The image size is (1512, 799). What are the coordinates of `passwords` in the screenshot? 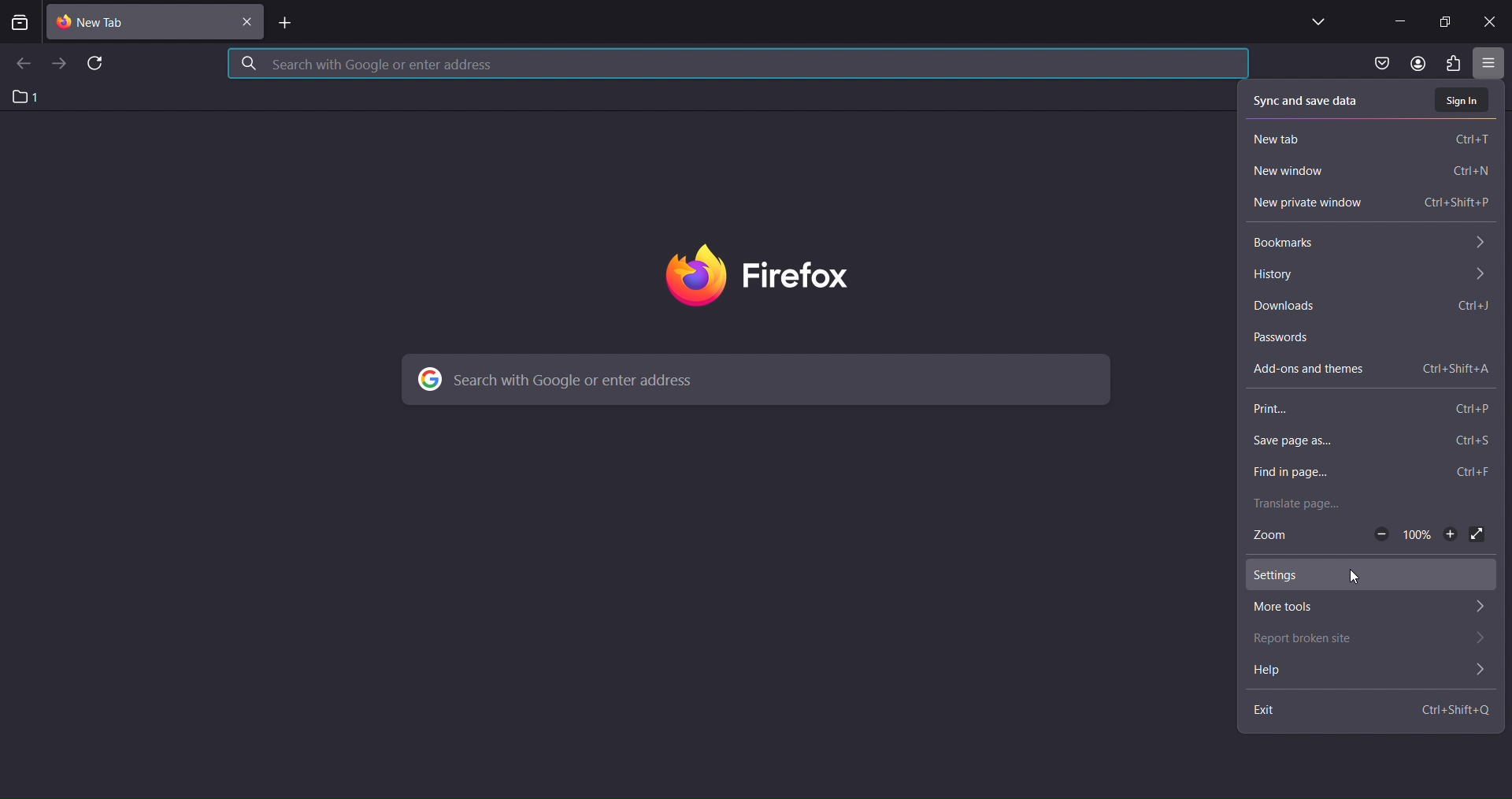 It's located at (1369, 334).